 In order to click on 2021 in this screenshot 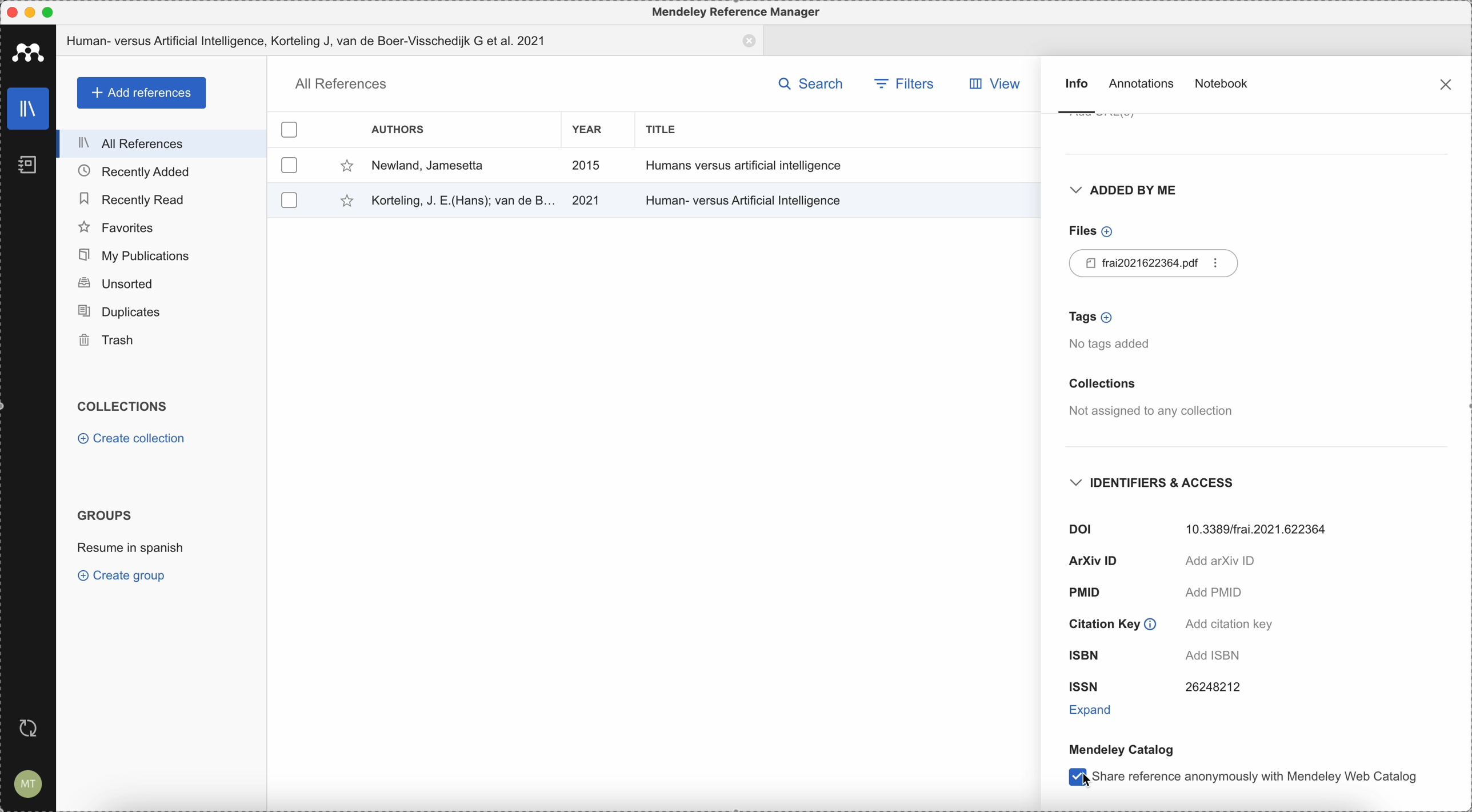, I will do `click(586, 201)`.